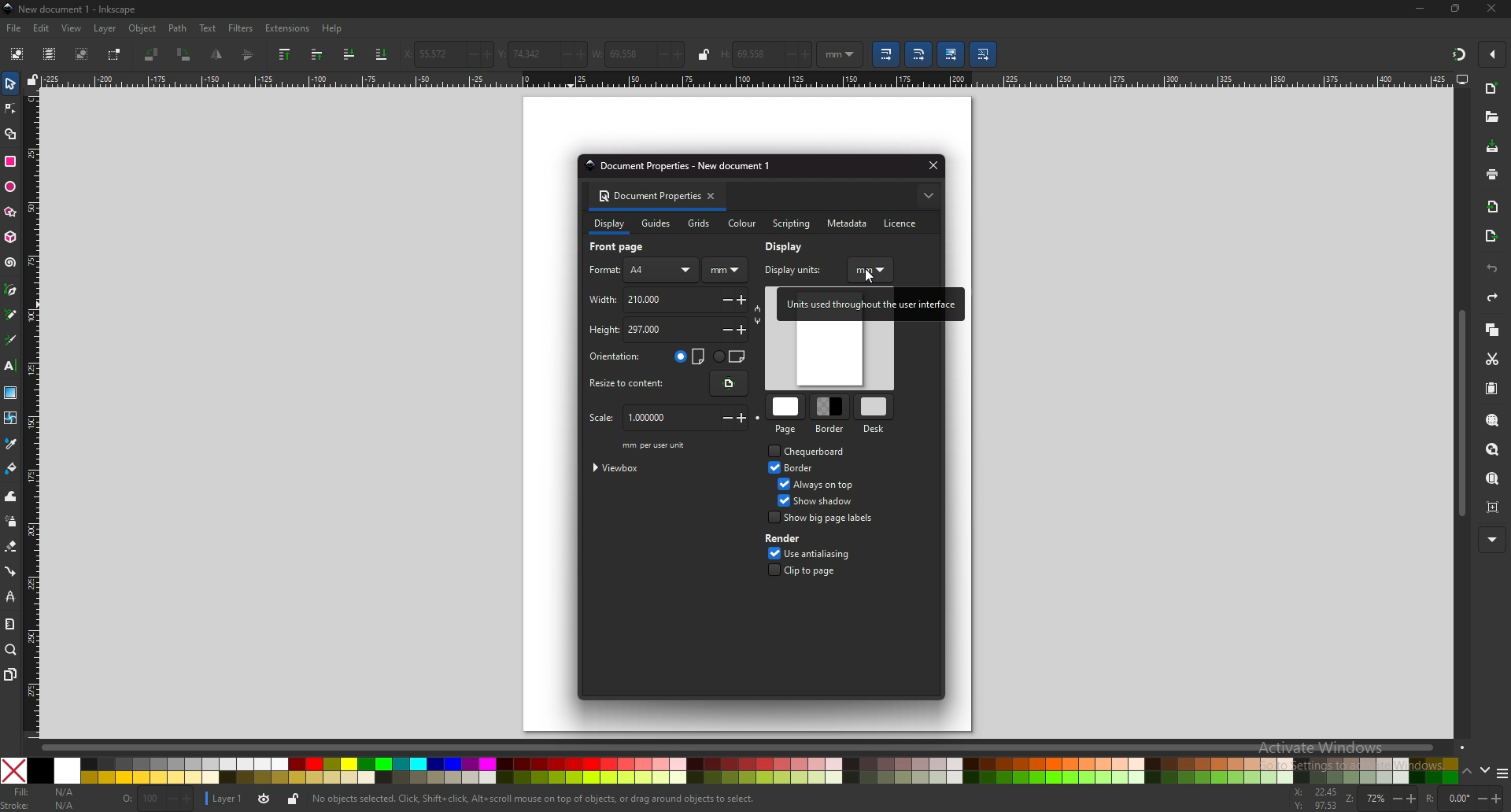 The image size is (1511, 812). I want to click on width, so click(618, 55).